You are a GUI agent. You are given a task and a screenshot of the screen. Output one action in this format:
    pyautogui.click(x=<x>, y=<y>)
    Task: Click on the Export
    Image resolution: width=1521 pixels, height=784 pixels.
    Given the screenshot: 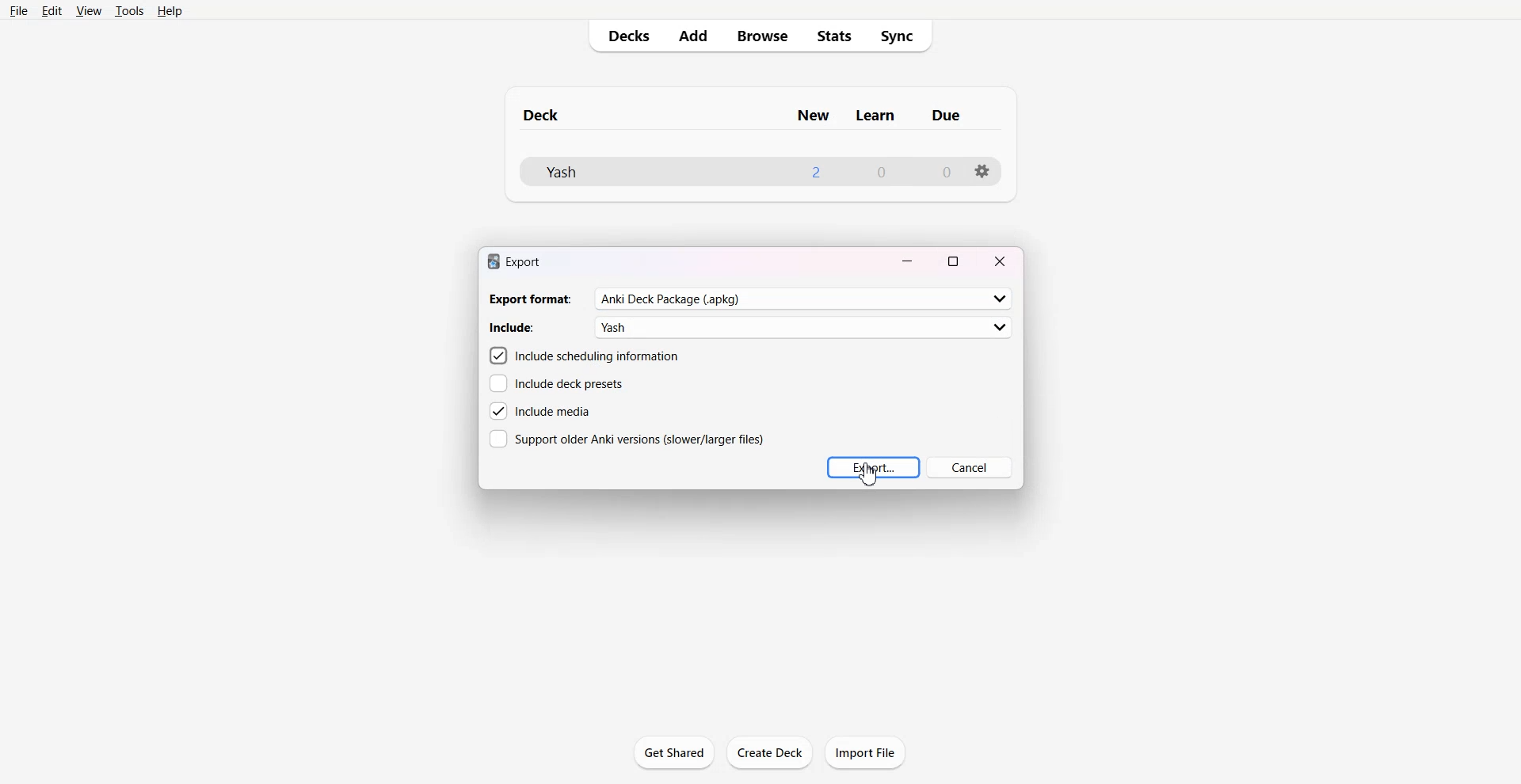 What is the action you would take?
    pyautogui.click(x=873, y=467)
    